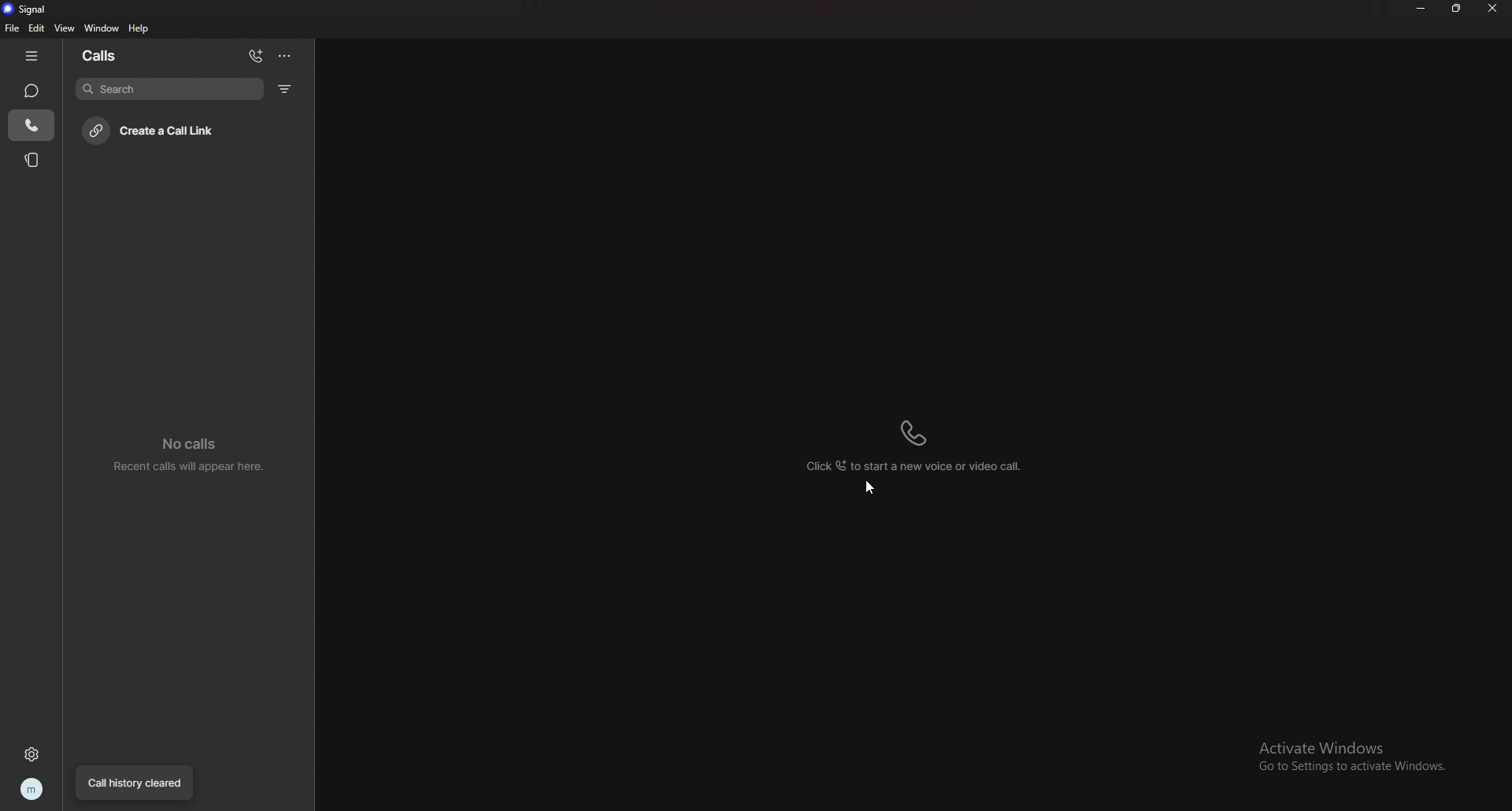 Image resolution: width=1512 pixels, height=811 pixels. I want to click on view, so click(66, 28).